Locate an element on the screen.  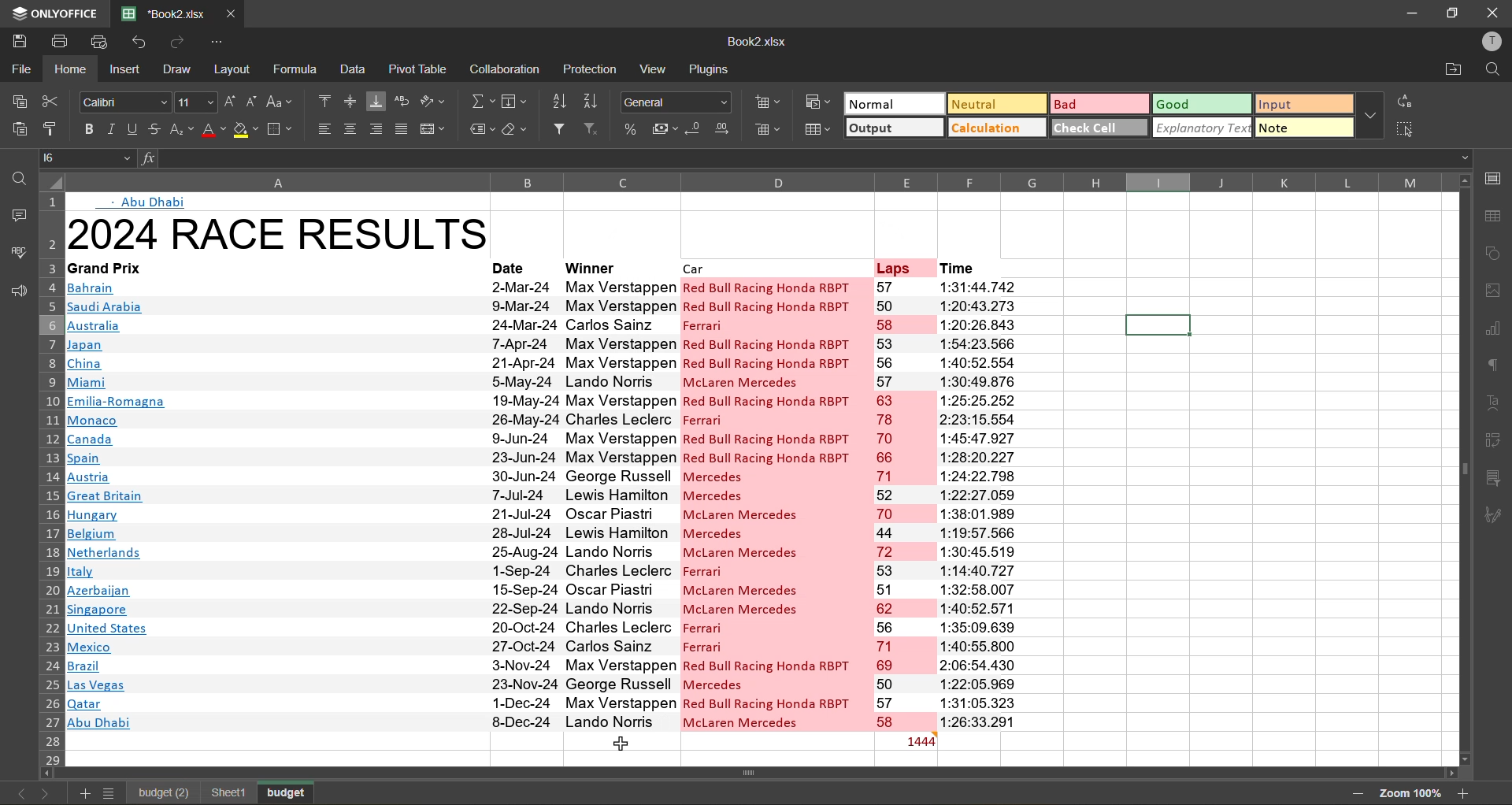
font style is located at coordinates (126, 103).